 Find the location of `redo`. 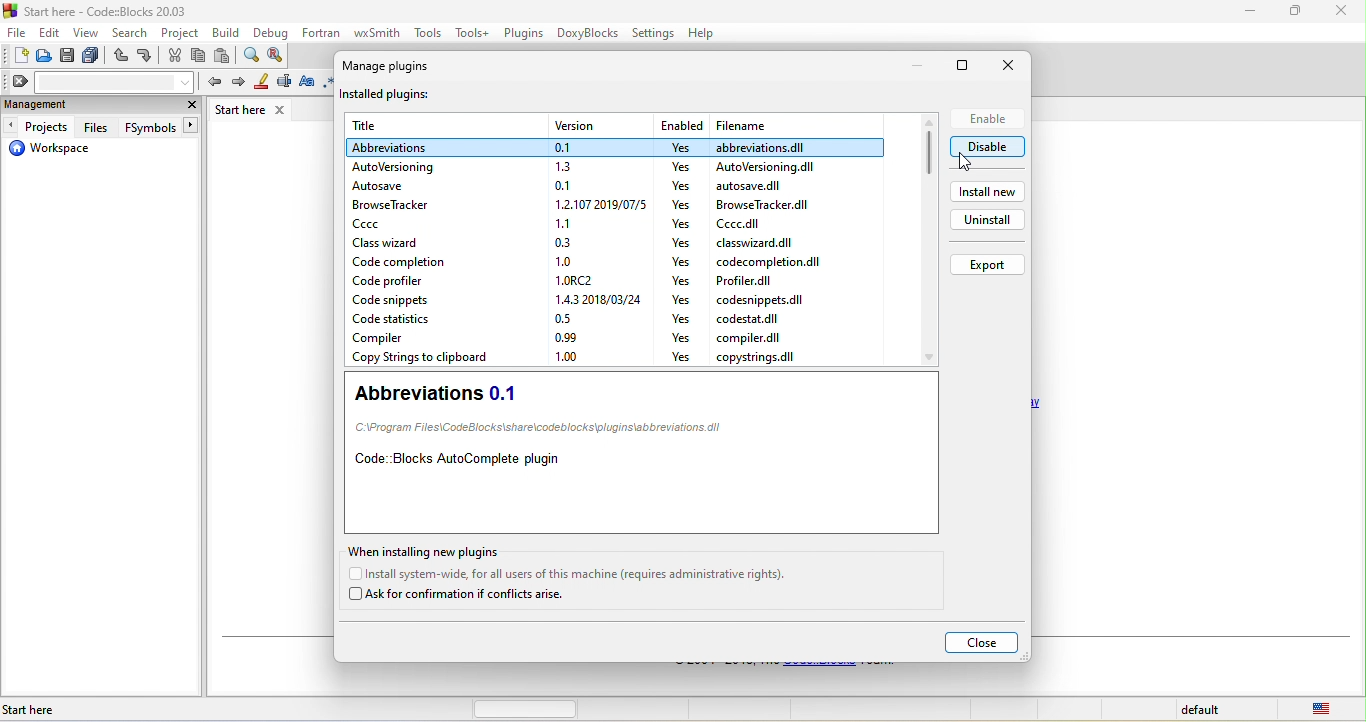

redo is located at coordinates (144, 56).